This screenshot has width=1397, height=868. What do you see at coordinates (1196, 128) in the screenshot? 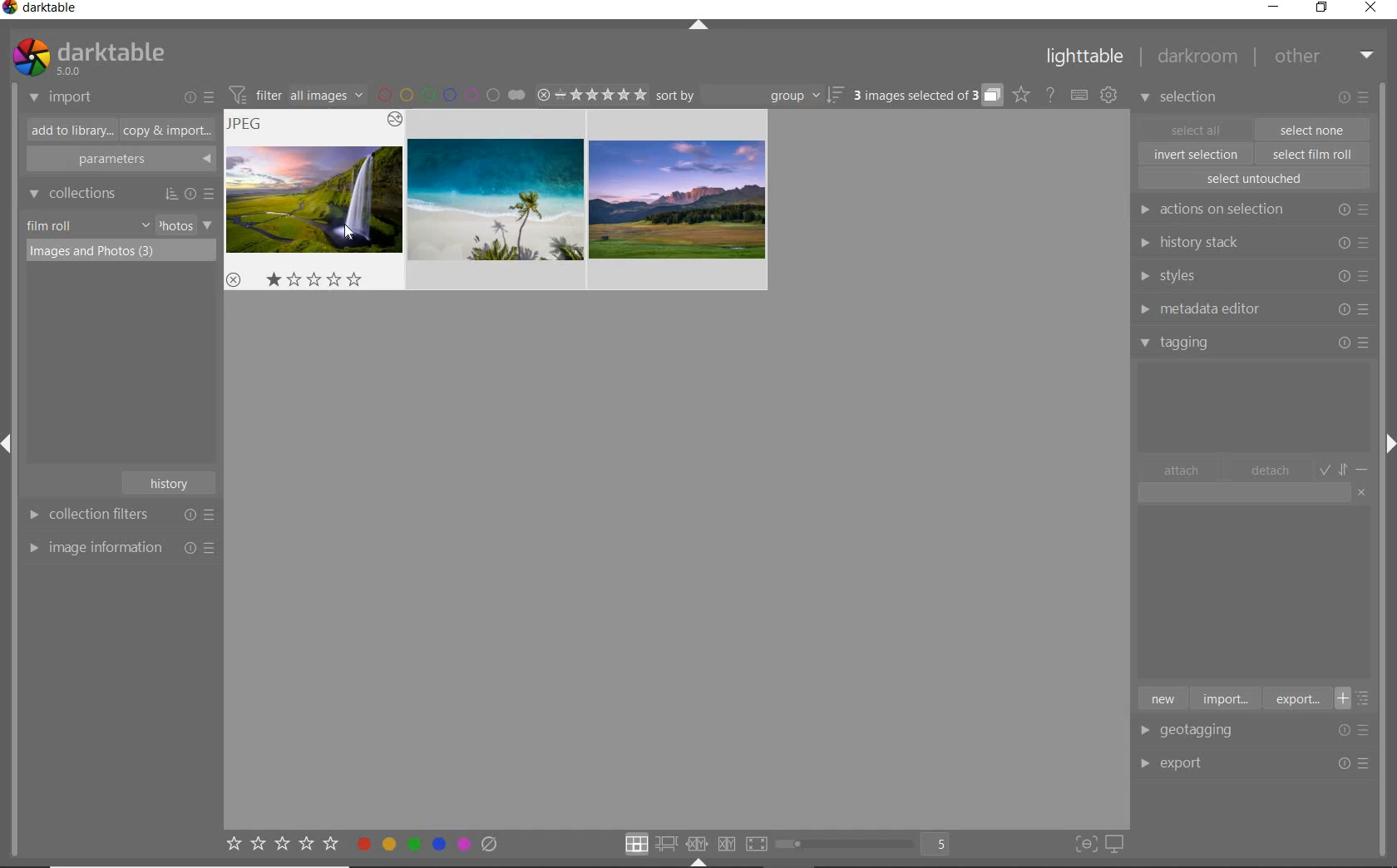
I see `select all` at bounding box center [1196, 128].